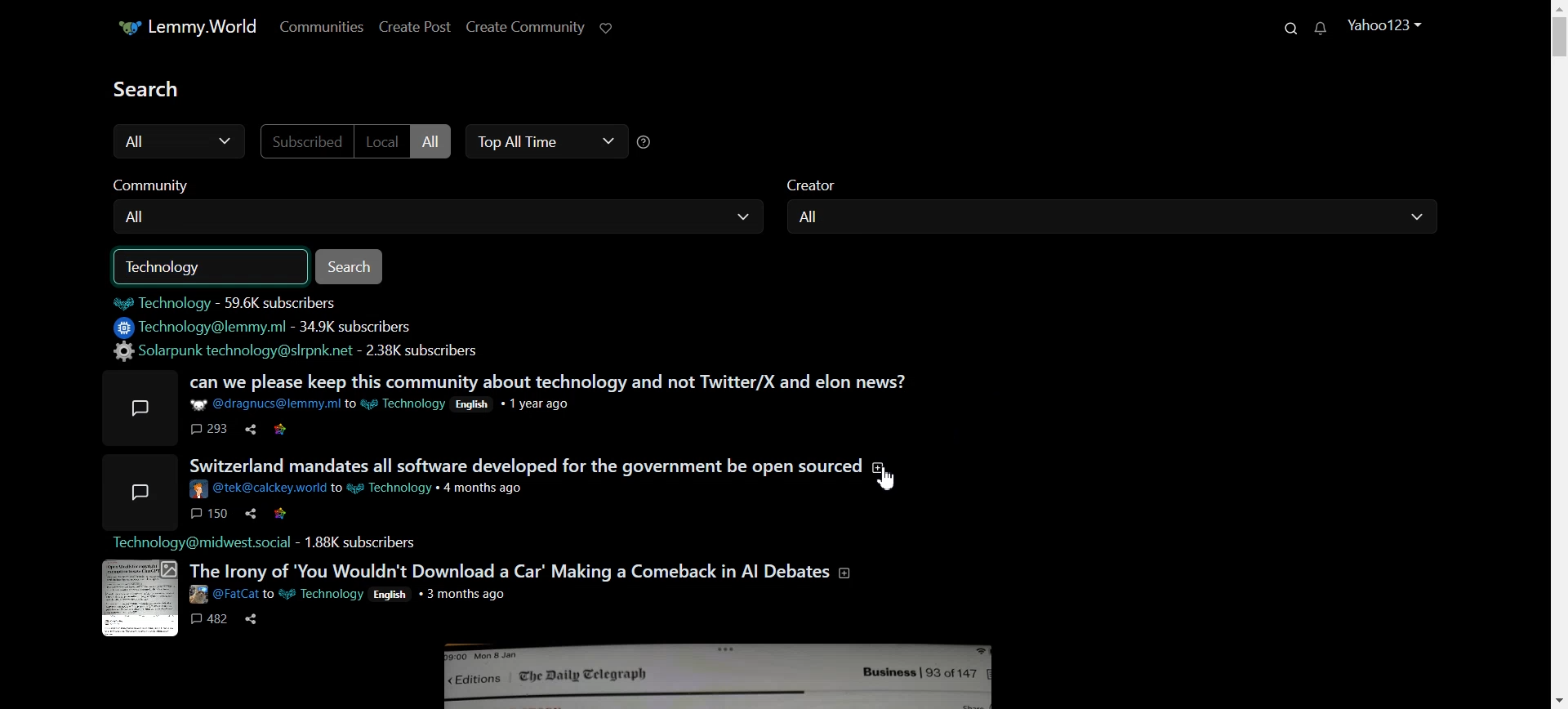  Describe the element at coordinates (281, 514) in the screenshot. I see `starred` at that location.